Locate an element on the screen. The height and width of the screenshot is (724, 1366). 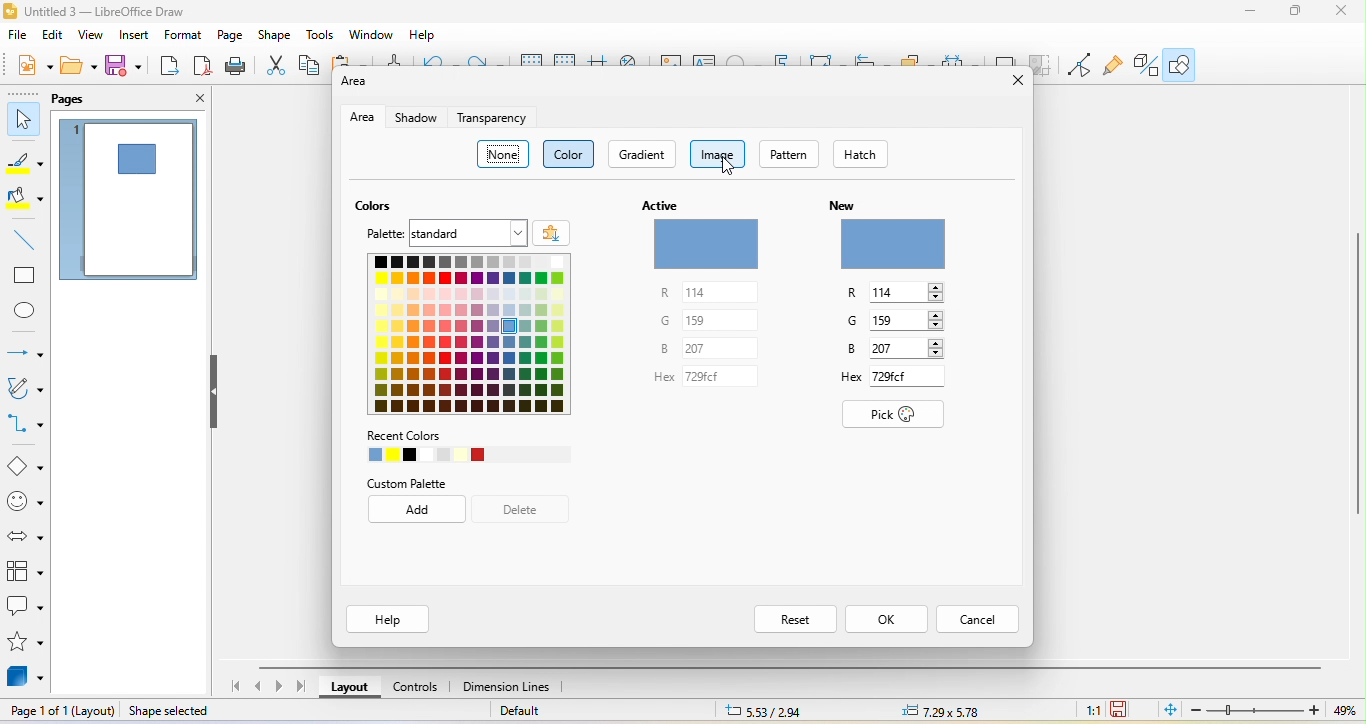
b 207 is located at coordinates (893, 351).